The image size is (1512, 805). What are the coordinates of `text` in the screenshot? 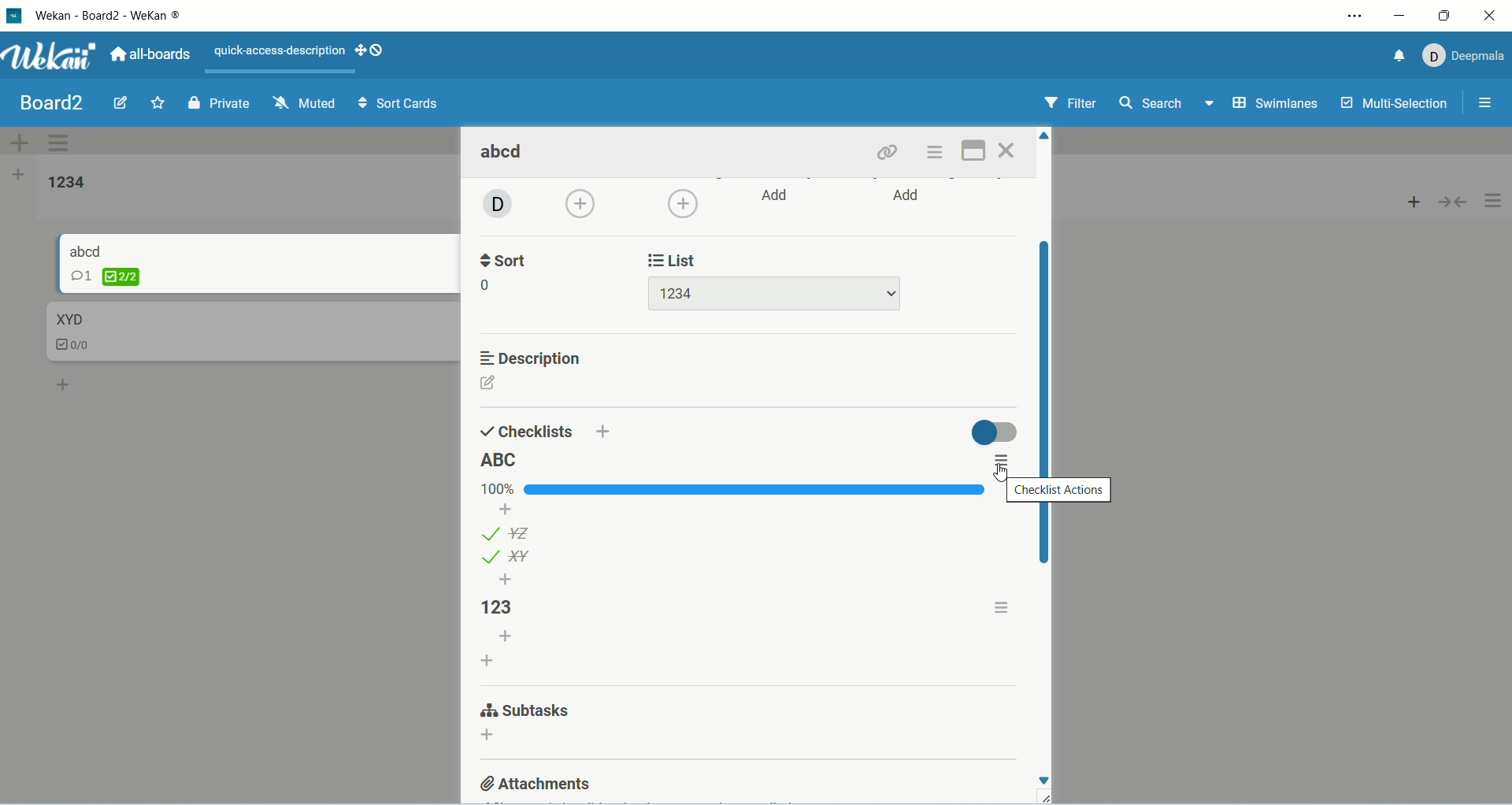 It's located at (280, 51).